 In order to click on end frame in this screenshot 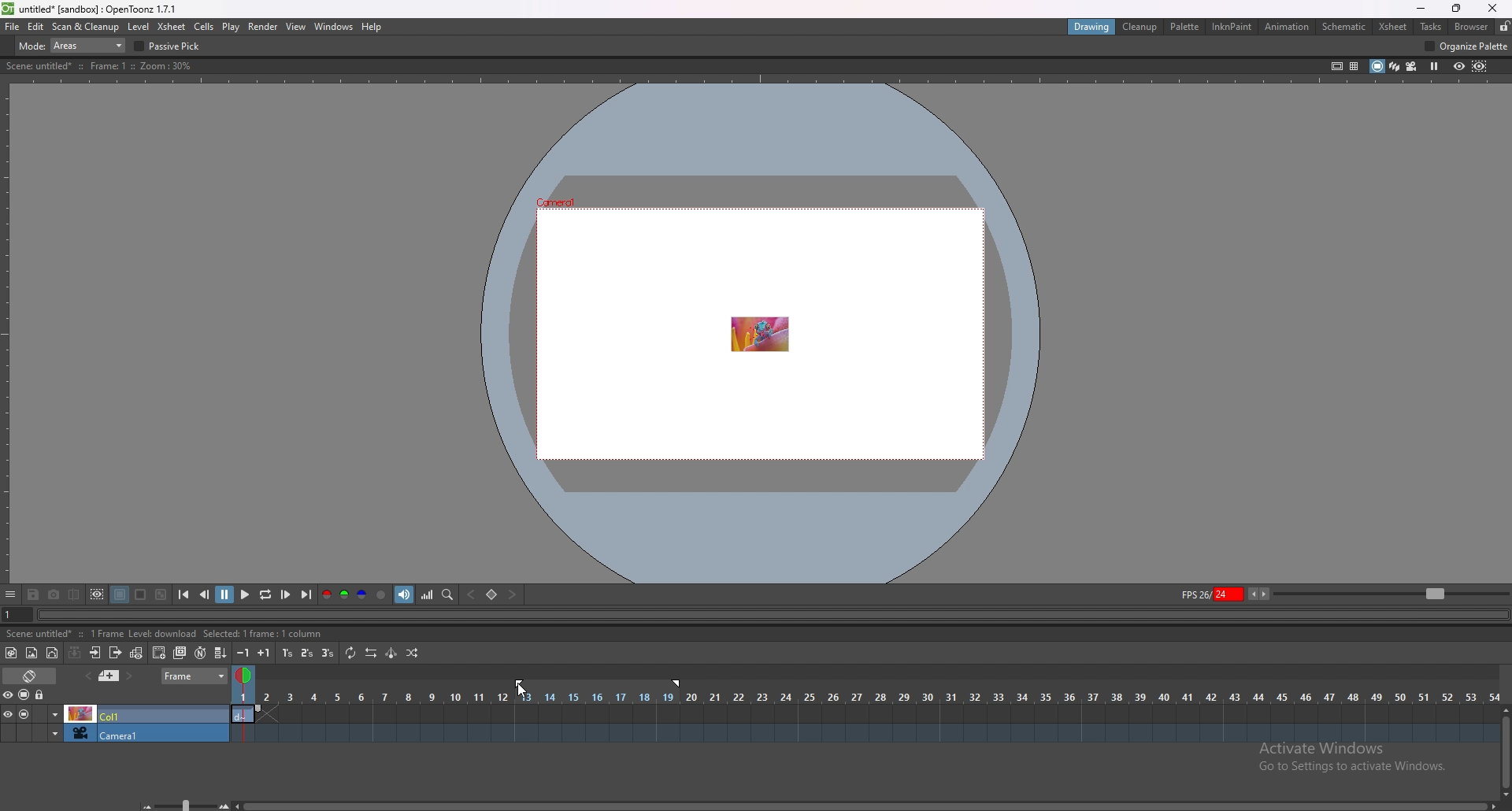, I will do `click(680, 683)`.